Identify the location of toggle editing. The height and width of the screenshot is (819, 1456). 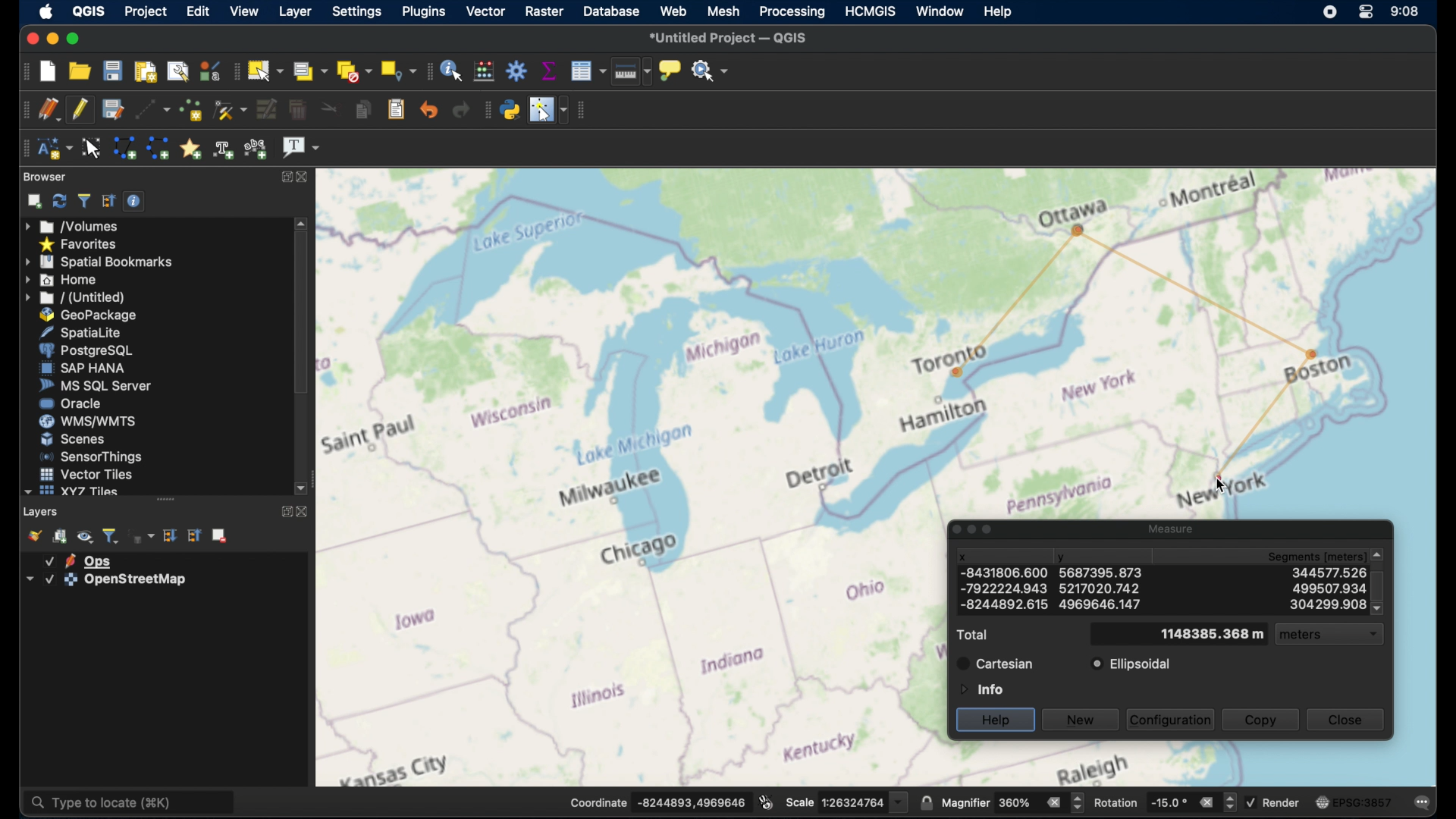
(80, 110).